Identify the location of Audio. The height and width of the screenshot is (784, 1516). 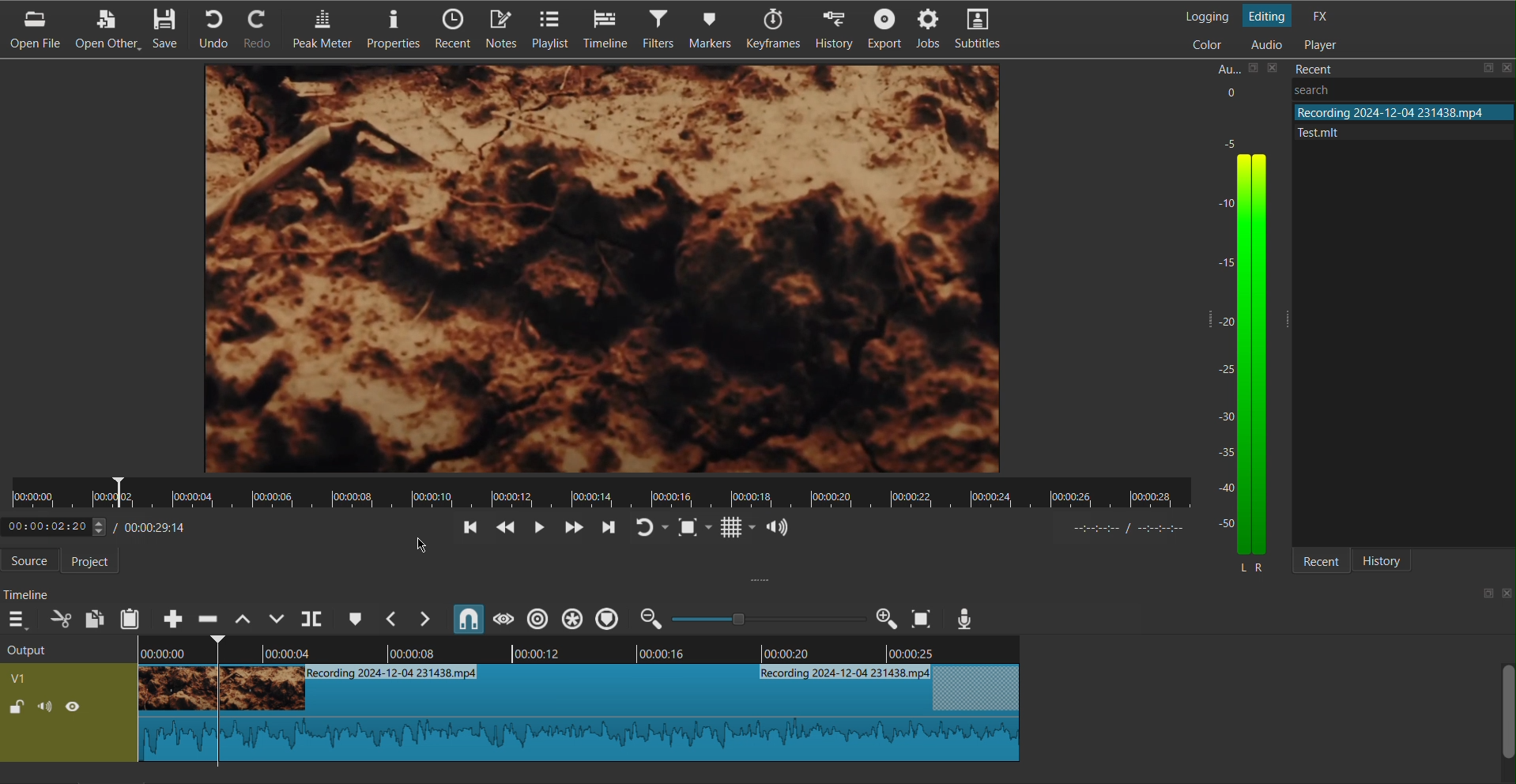
(1265, 45).